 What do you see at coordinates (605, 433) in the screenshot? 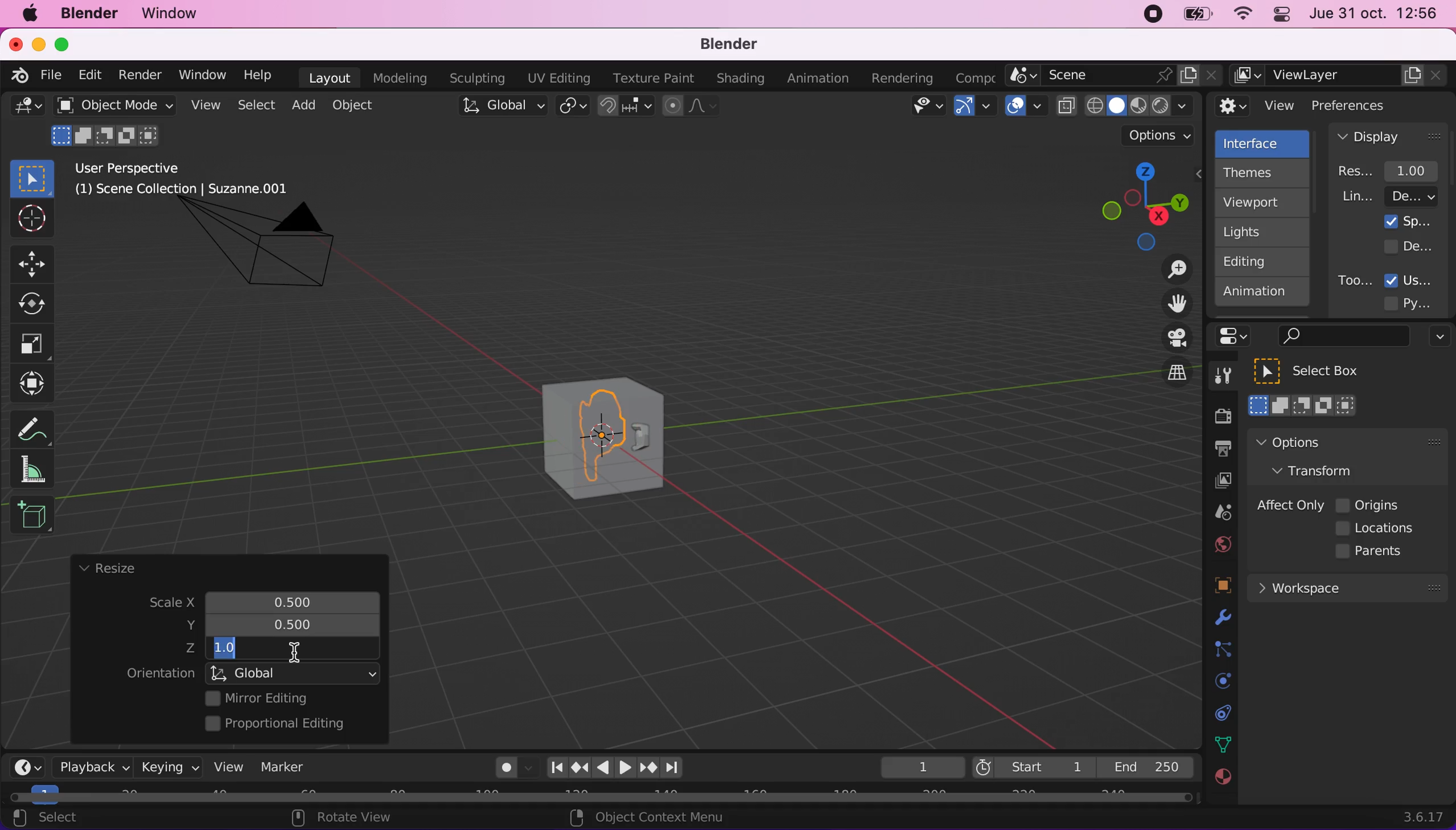
I see `cube` at bounding box center [605, 433].